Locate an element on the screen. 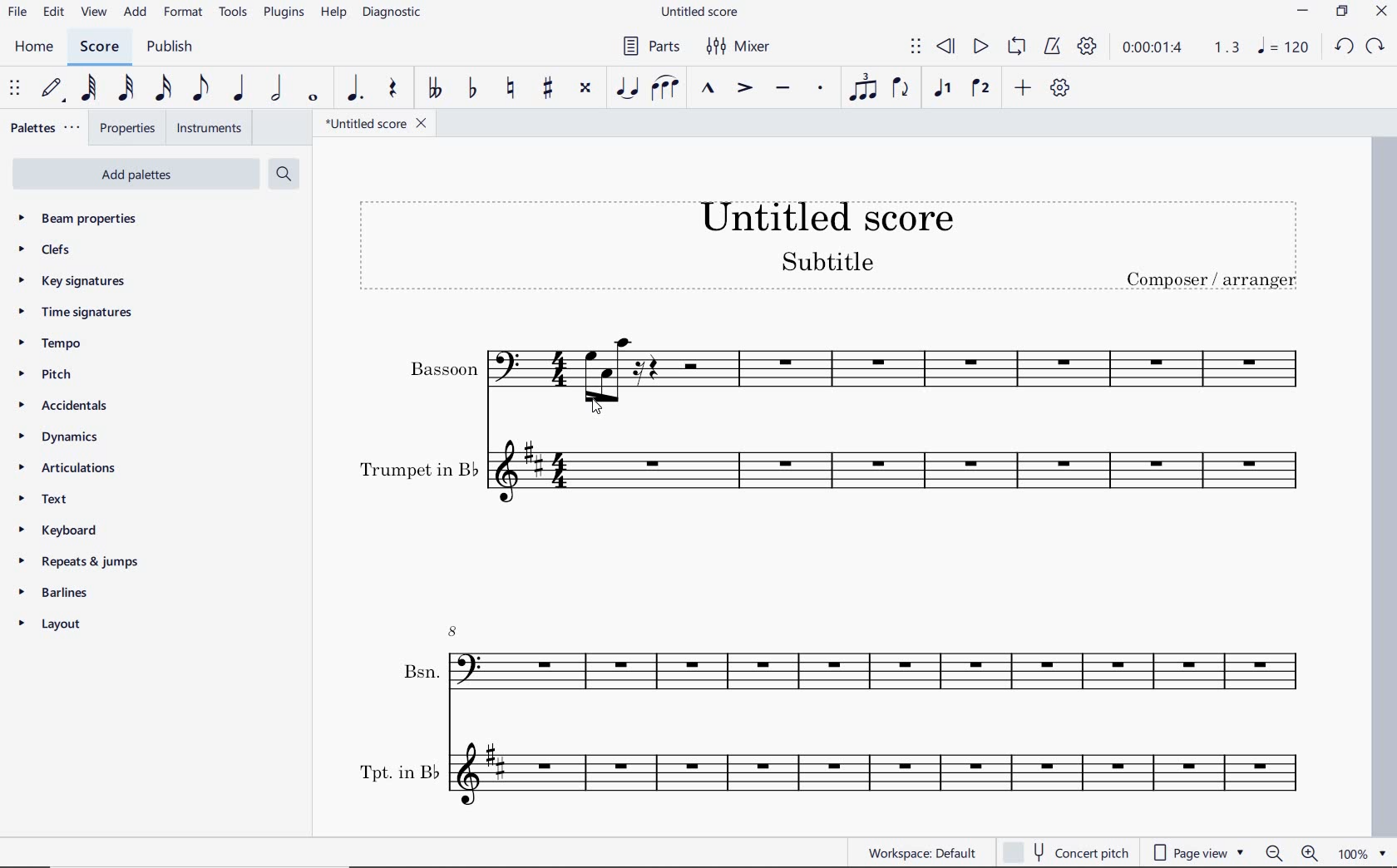  quarter note is located at coordinates (239, 89).